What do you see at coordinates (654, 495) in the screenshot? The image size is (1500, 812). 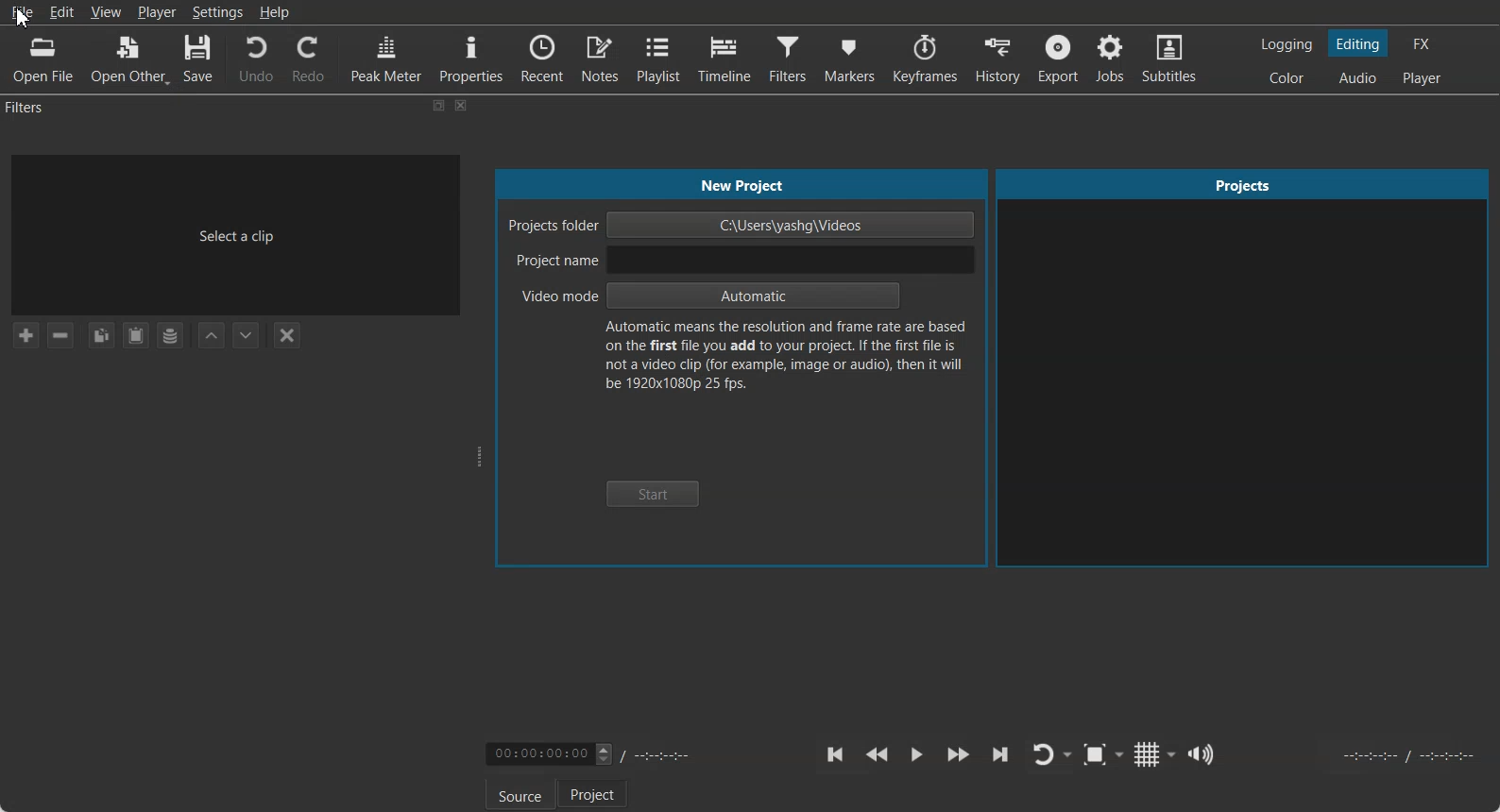 I see `Start` at bounding box center [654, 495].